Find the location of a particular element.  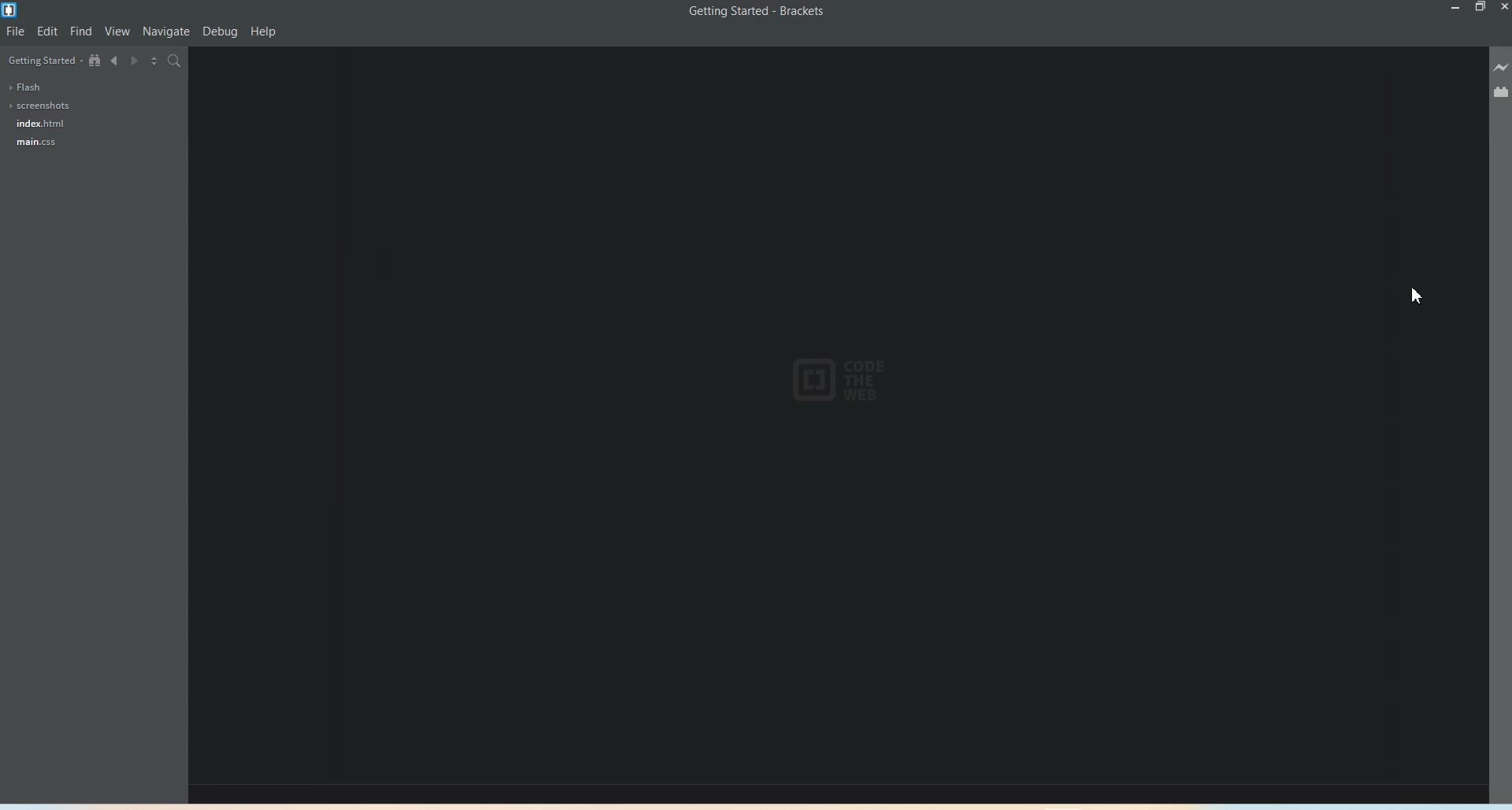

Navigate Backwards is located at coordinates (116, 61).